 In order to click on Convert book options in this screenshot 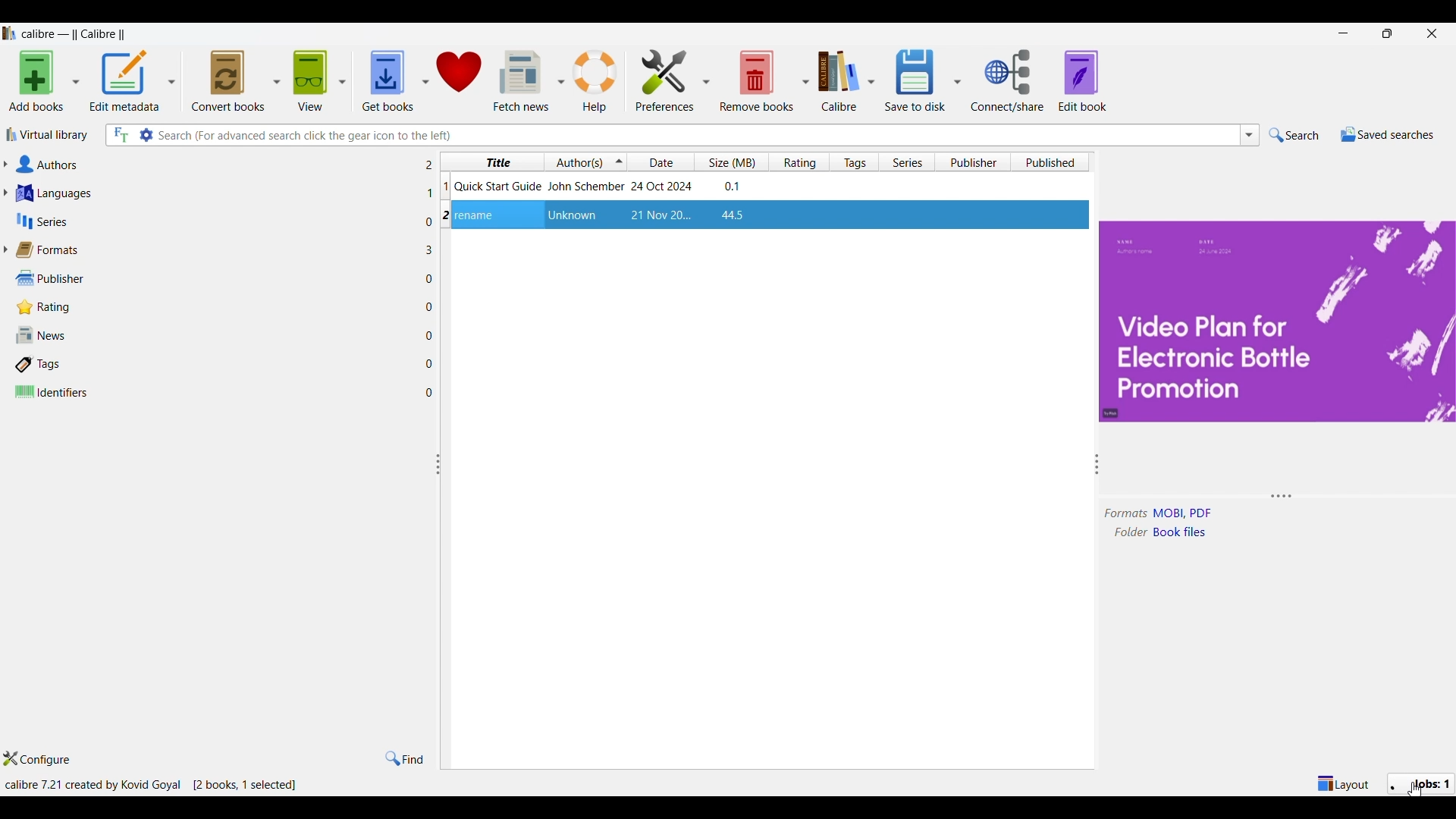, I will do `click(276, 80)`.